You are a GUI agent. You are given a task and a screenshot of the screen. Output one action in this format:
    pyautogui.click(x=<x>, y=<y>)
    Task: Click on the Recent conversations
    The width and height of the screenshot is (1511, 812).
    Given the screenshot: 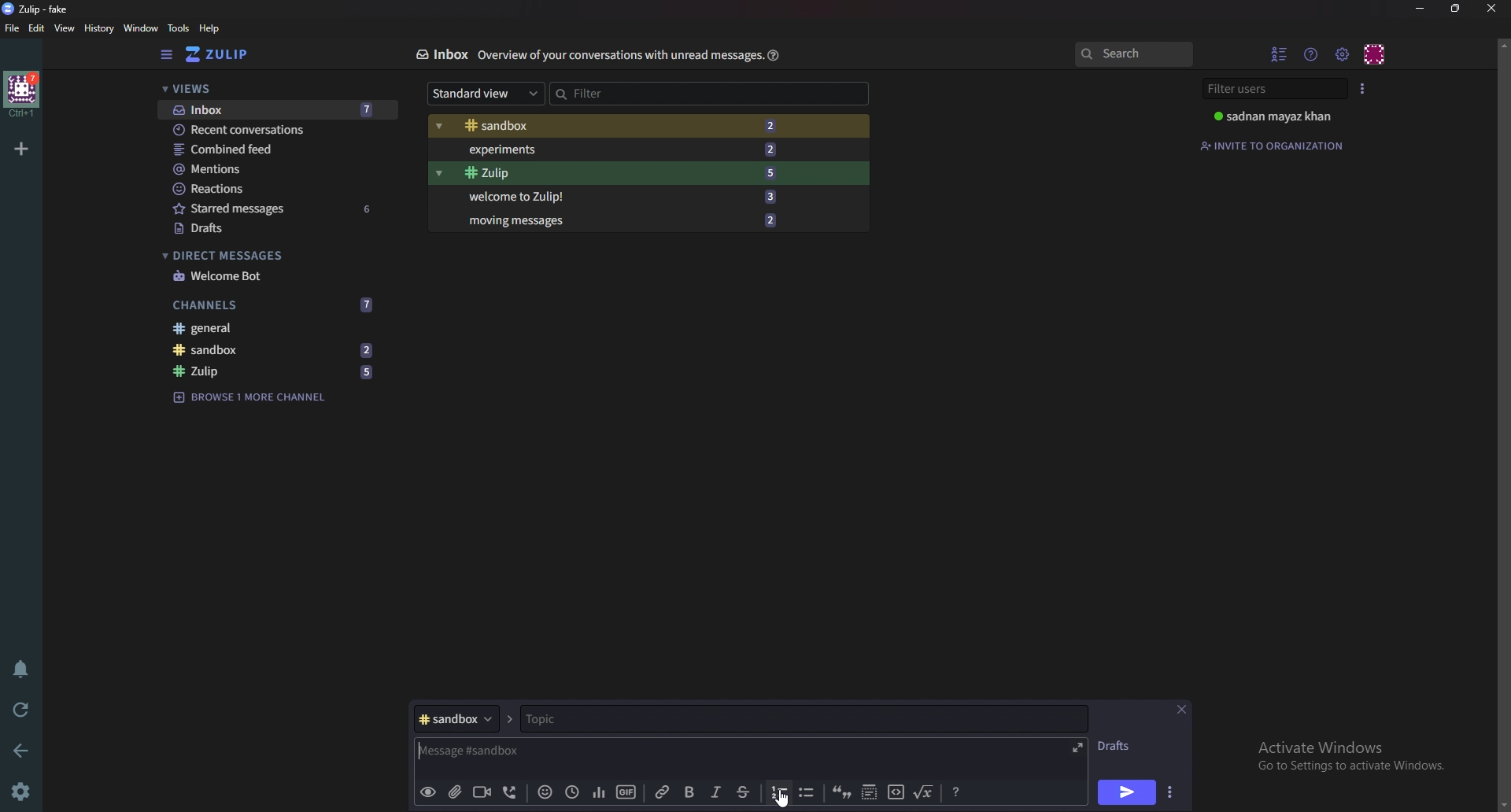 What is the action you would take?
    pyautogui.click(x=278, y=131)
    